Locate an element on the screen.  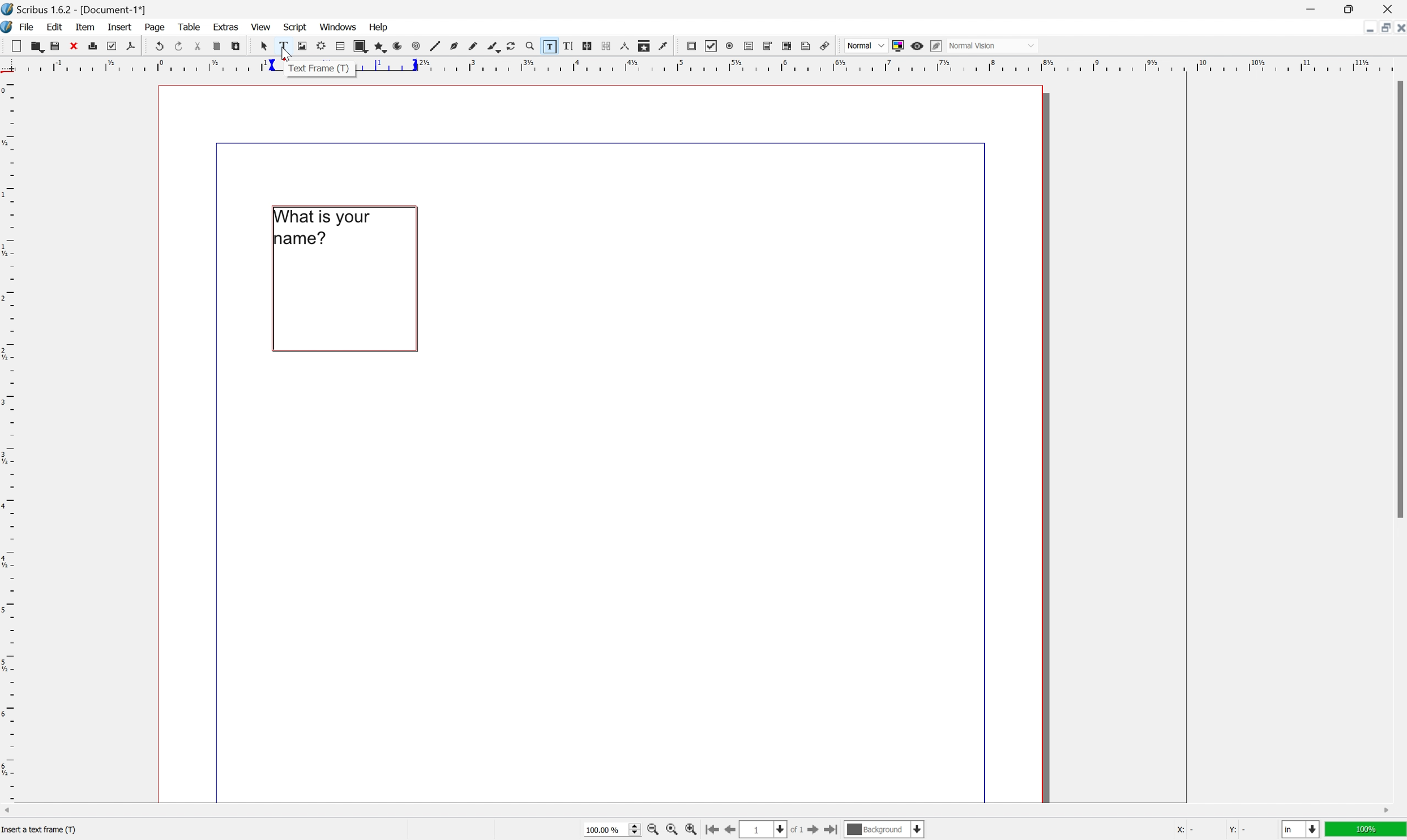
pdf radio button is located at coordinates (729, 46).